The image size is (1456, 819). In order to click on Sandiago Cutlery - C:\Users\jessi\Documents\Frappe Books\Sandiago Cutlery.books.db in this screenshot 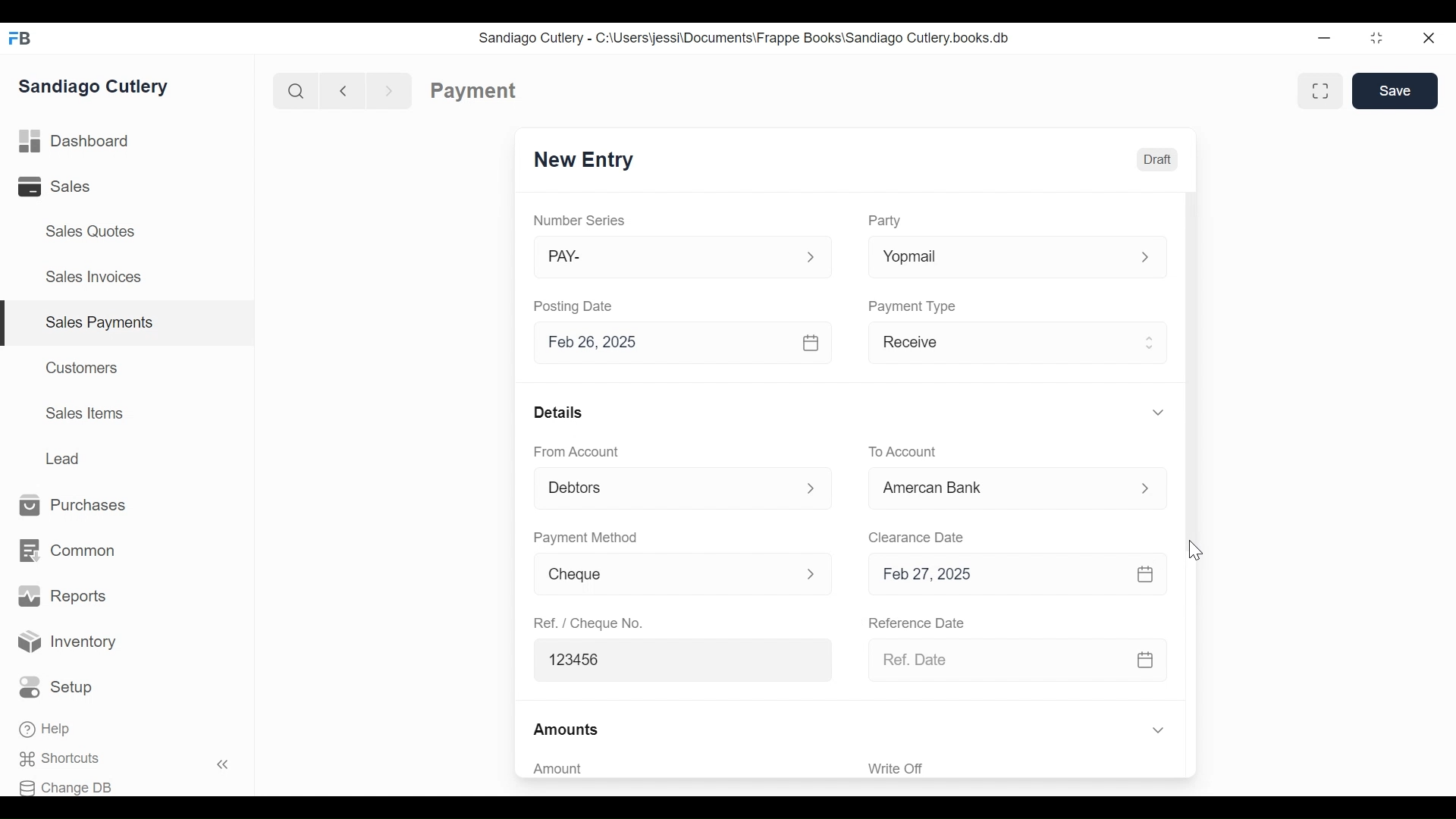, I will do `click(744, 37)`.